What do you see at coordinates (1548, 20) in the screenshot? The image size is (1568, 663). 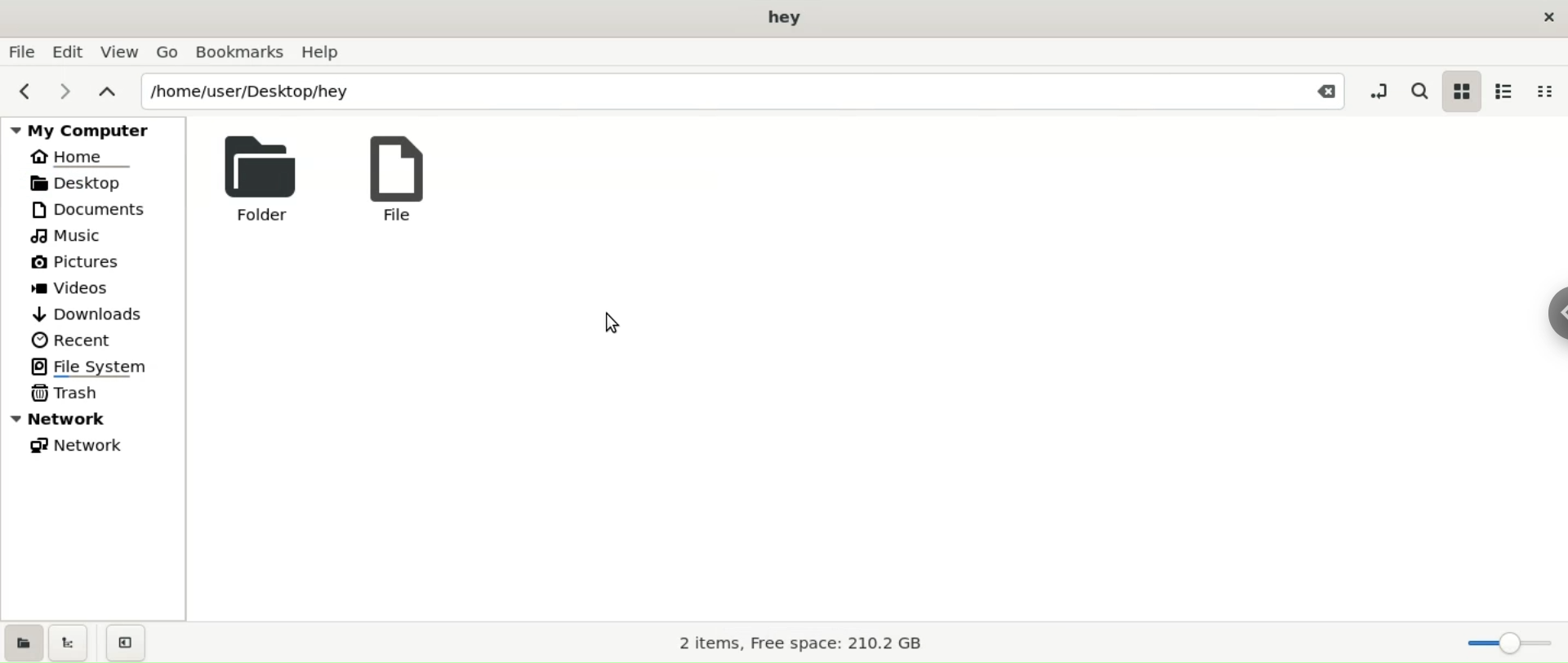 I see `close` at bounding box center [1548, 20].